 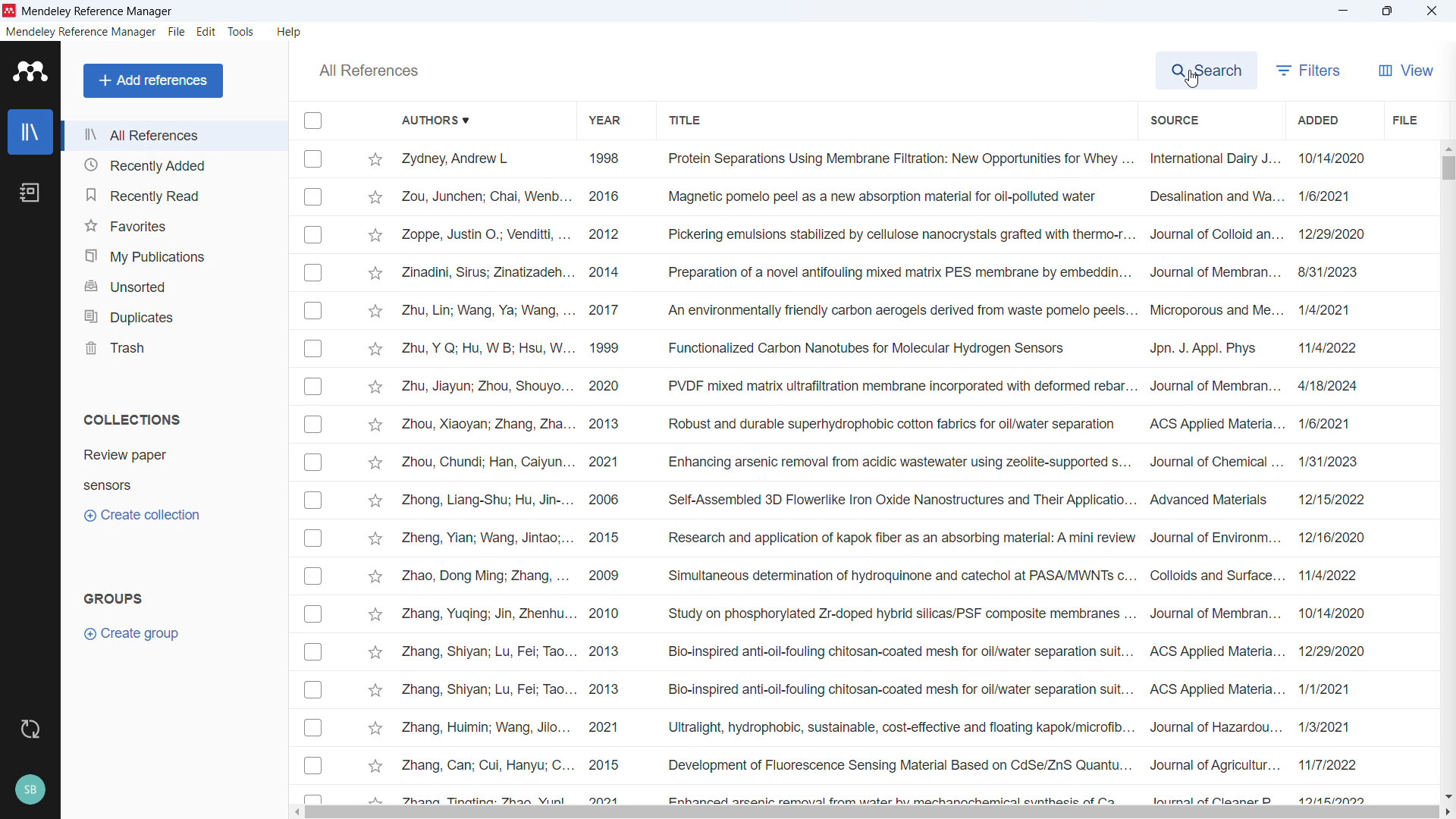 What do you see at coordinates (369, 71) in the screenshot?
I see `` at bounding box center [369, 71].